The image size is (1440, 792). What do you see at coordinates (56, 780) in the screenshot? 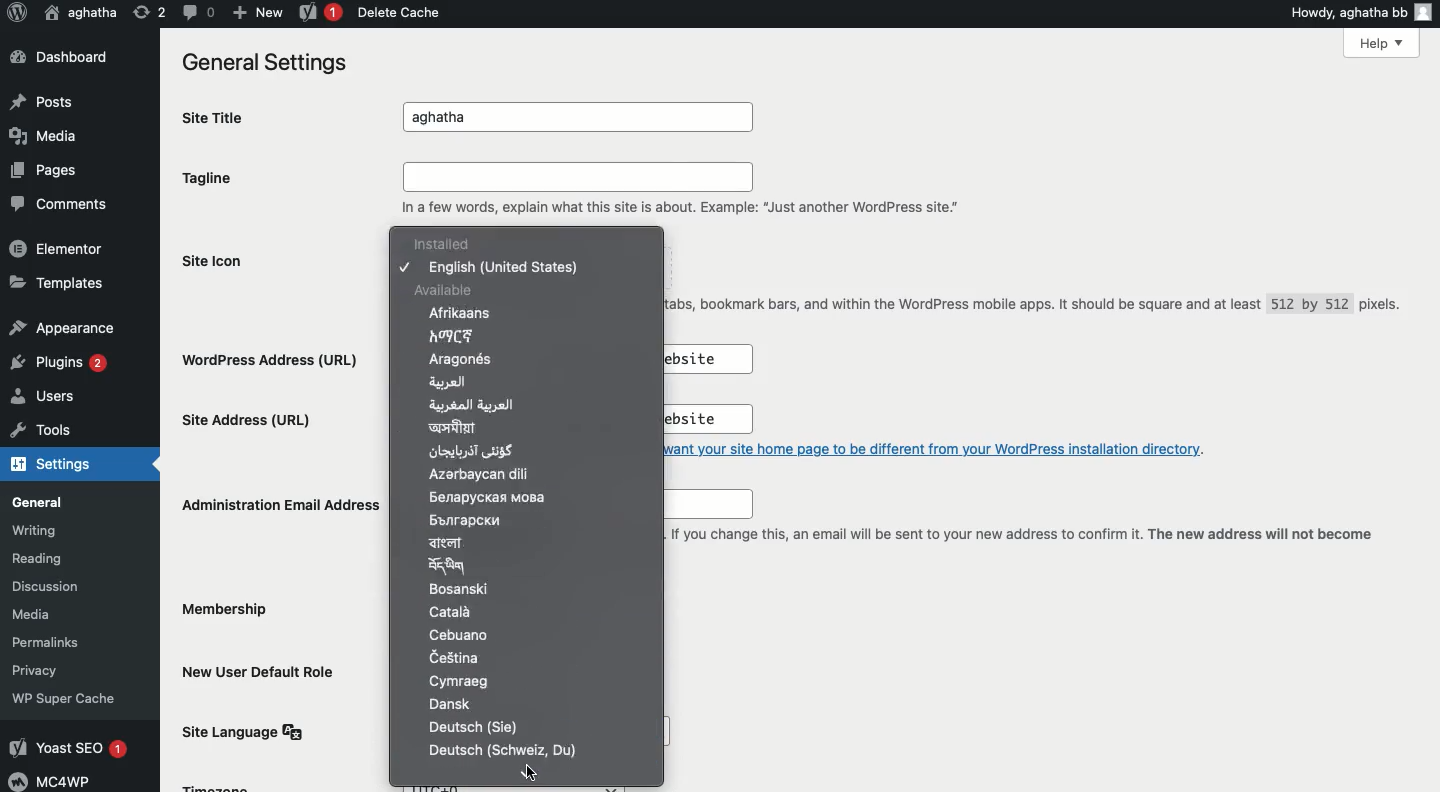
I see `MC4WP` at bounding box center [56, 780].